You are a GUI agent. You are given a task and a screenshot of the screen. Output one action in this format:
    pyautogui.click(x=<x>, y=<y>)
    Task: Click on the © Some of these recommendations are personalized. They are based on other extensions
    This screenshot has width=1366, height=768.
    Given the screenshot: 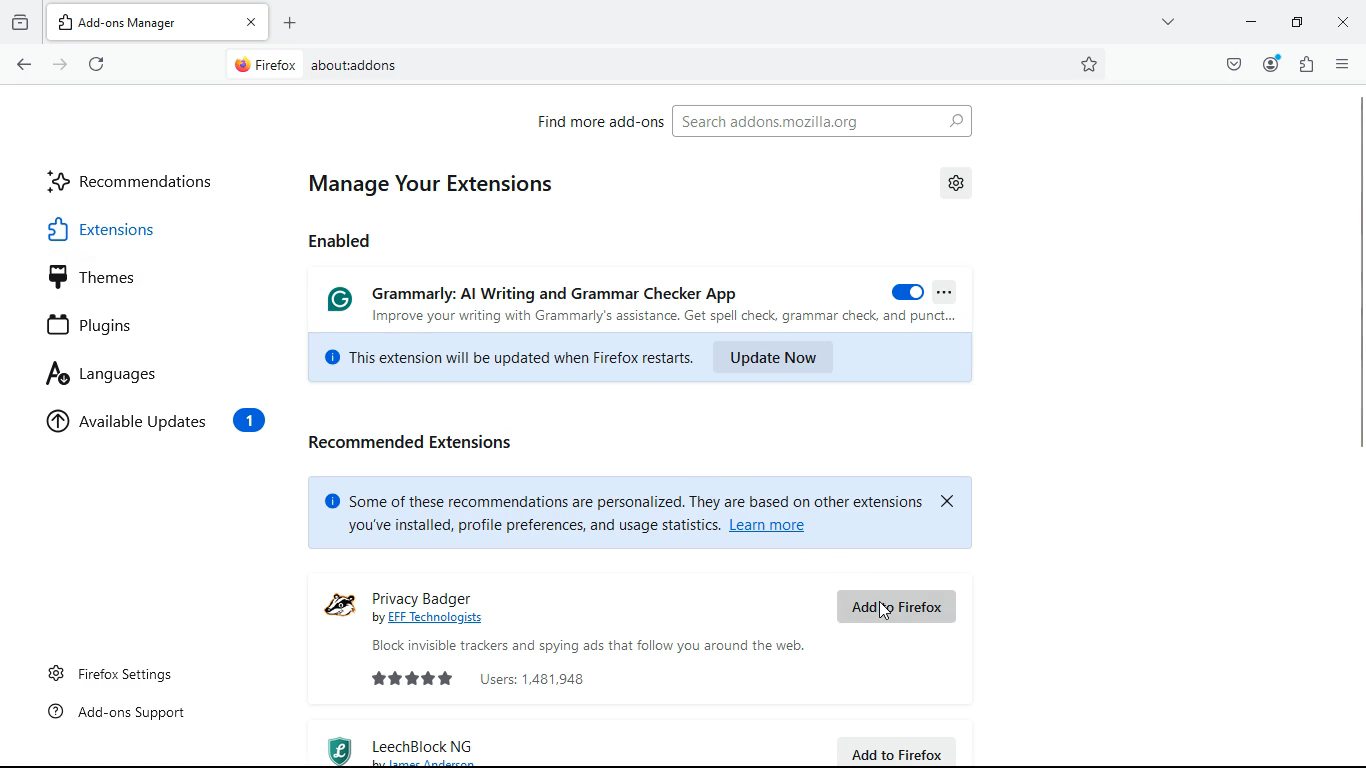 What is the action you would take?
    pyautogui.click(x=627, y=494)
    